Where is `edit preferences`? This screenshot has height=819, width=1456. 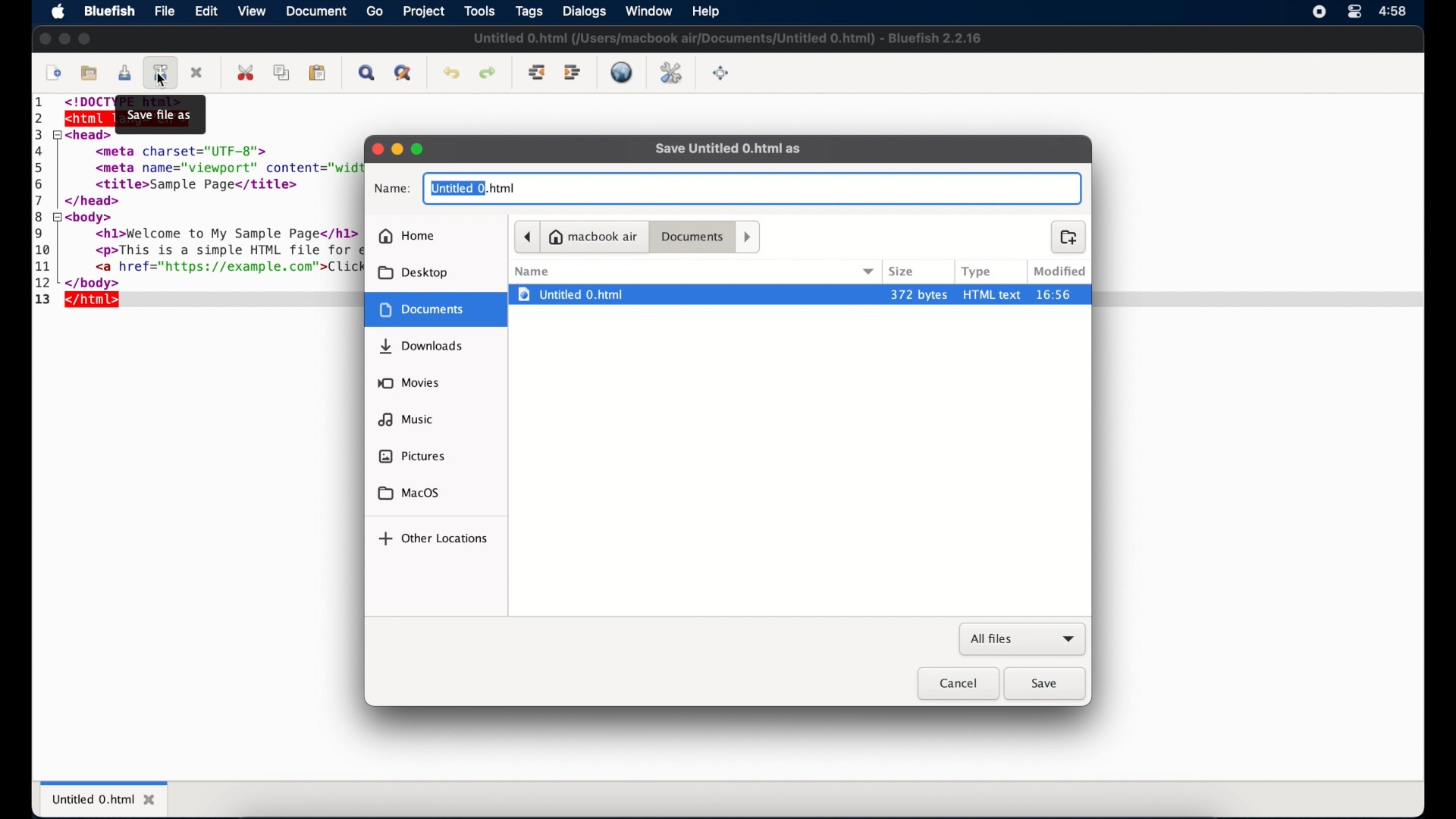 edit preferences is located at coordinates (671, 73).